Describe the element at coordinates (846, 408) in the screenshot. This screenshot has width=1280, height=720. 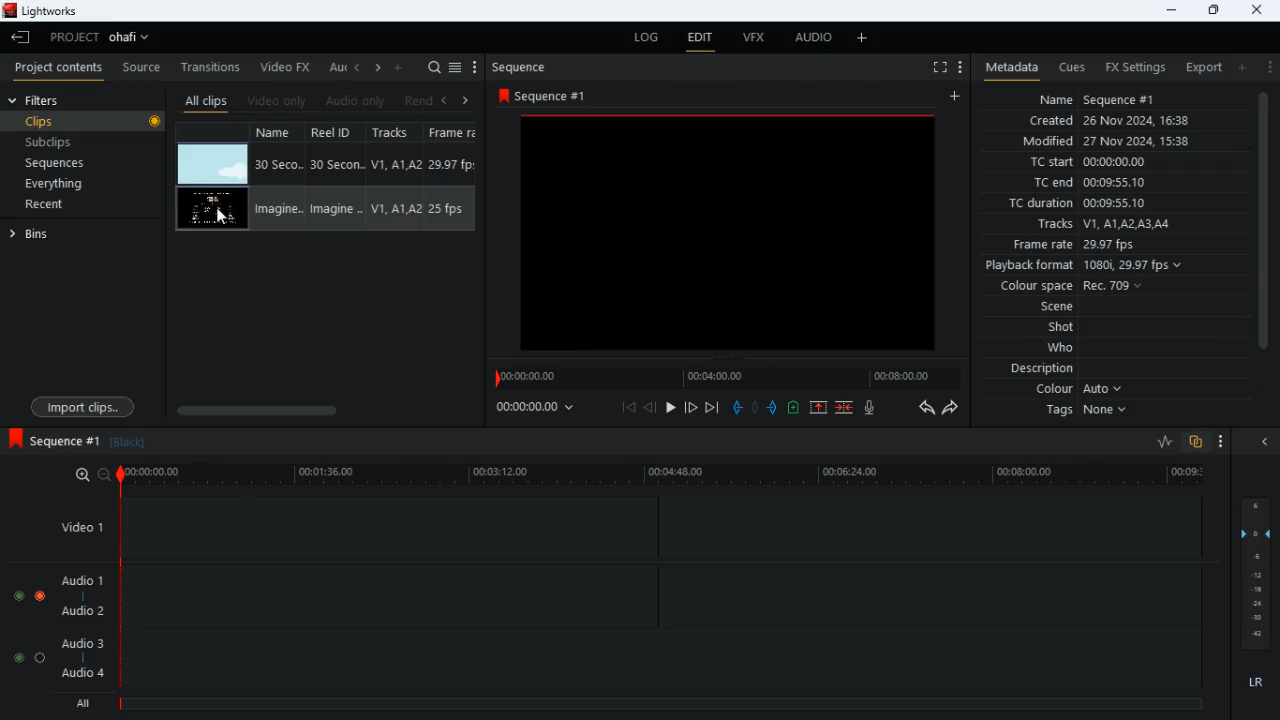
I see `merge` at that location.